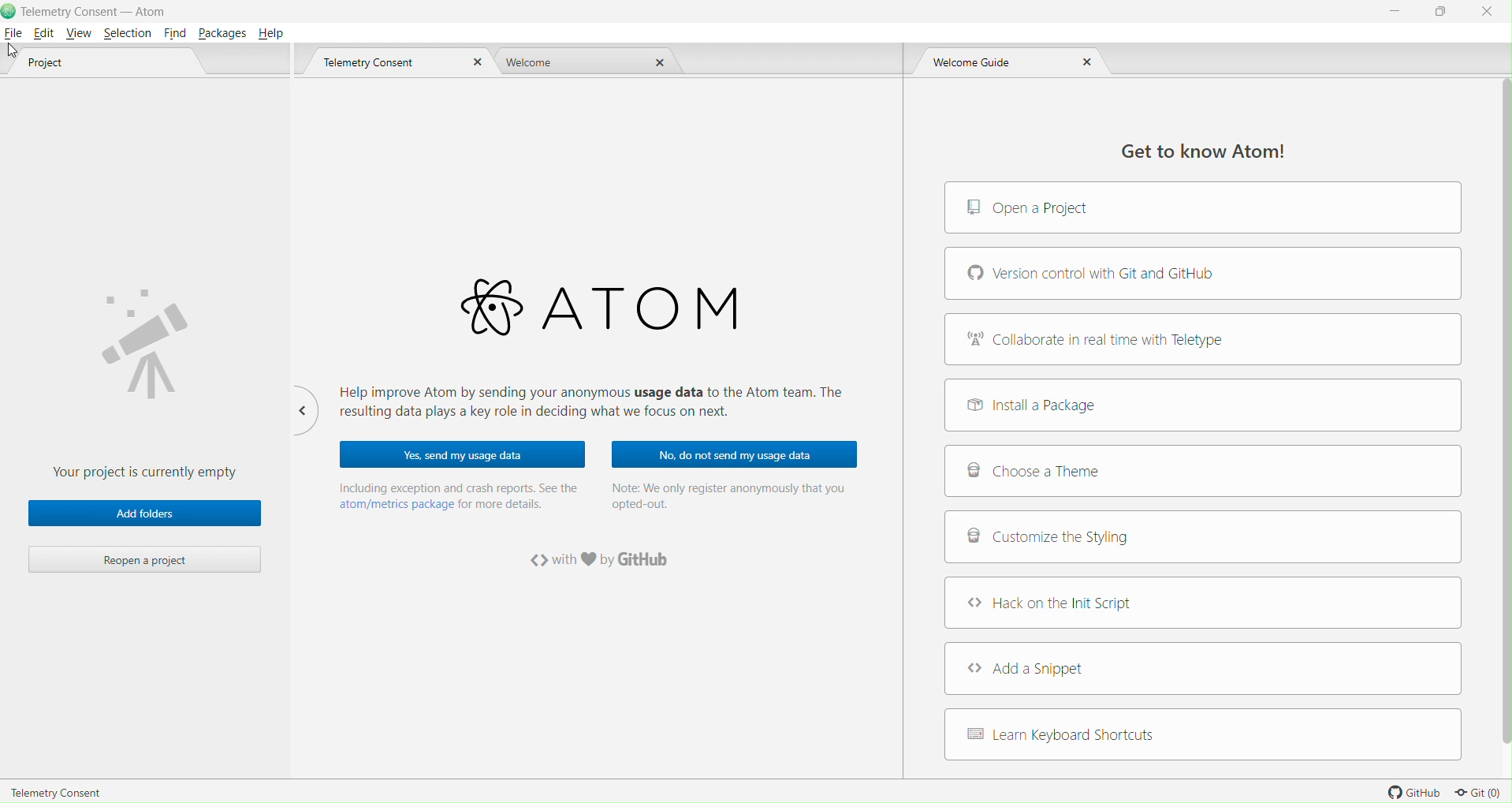 This screenshot has width=1512, height=803. I want to click on Including exception and crash reports. See the atom/metrics package for more details., so click(458, 495).